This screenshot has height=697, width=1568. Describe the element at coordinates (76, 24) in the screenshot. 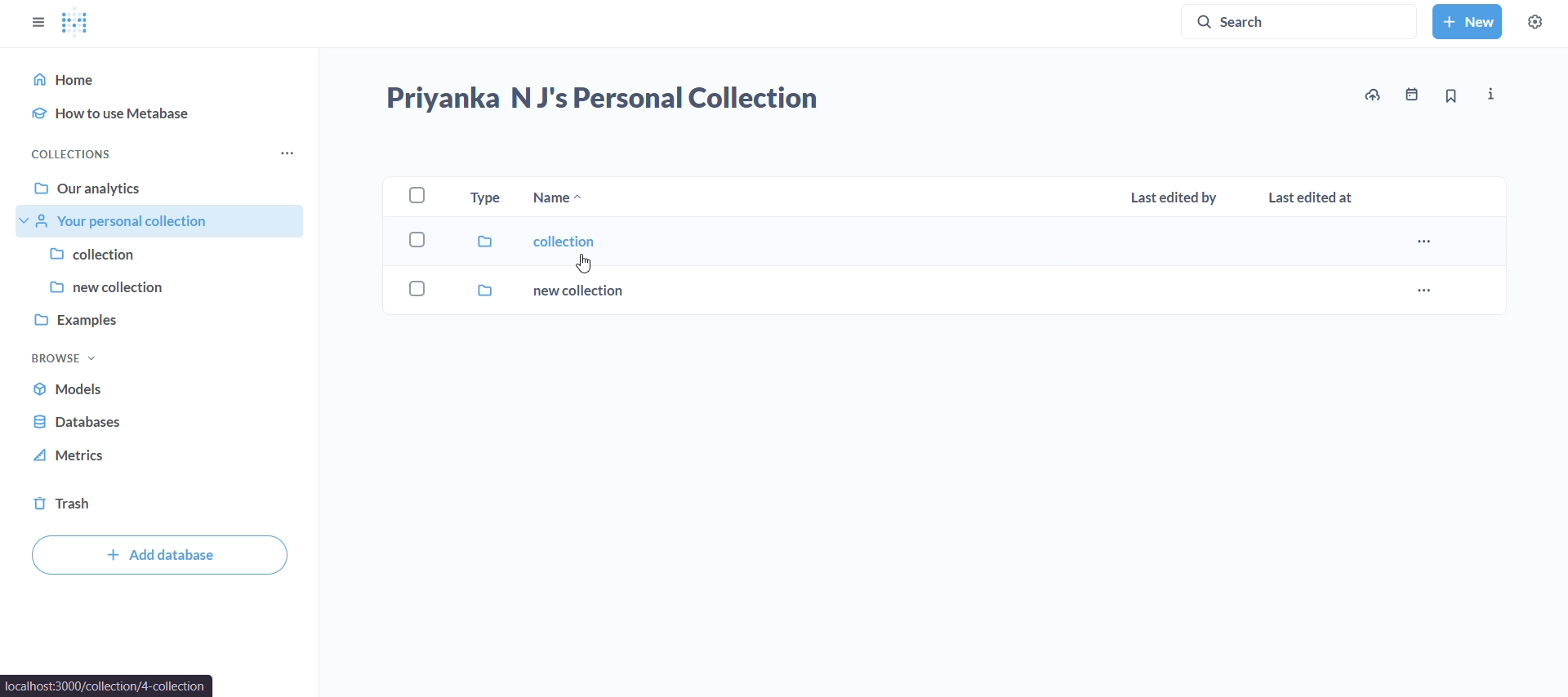

I see `logo` at that location.